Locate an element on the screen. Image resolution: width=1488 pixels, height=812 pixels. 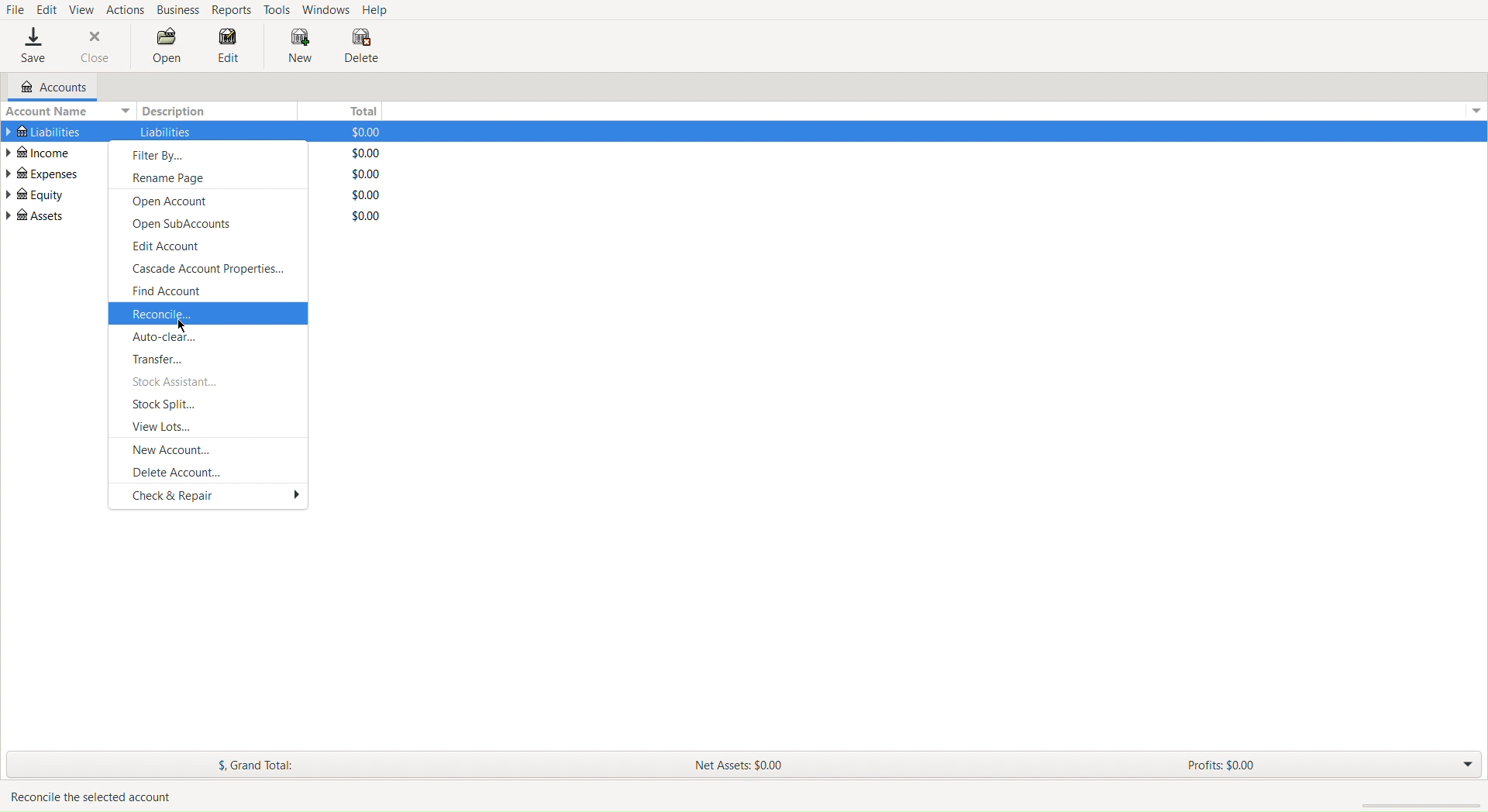
View is located at coordinates (83, 9).